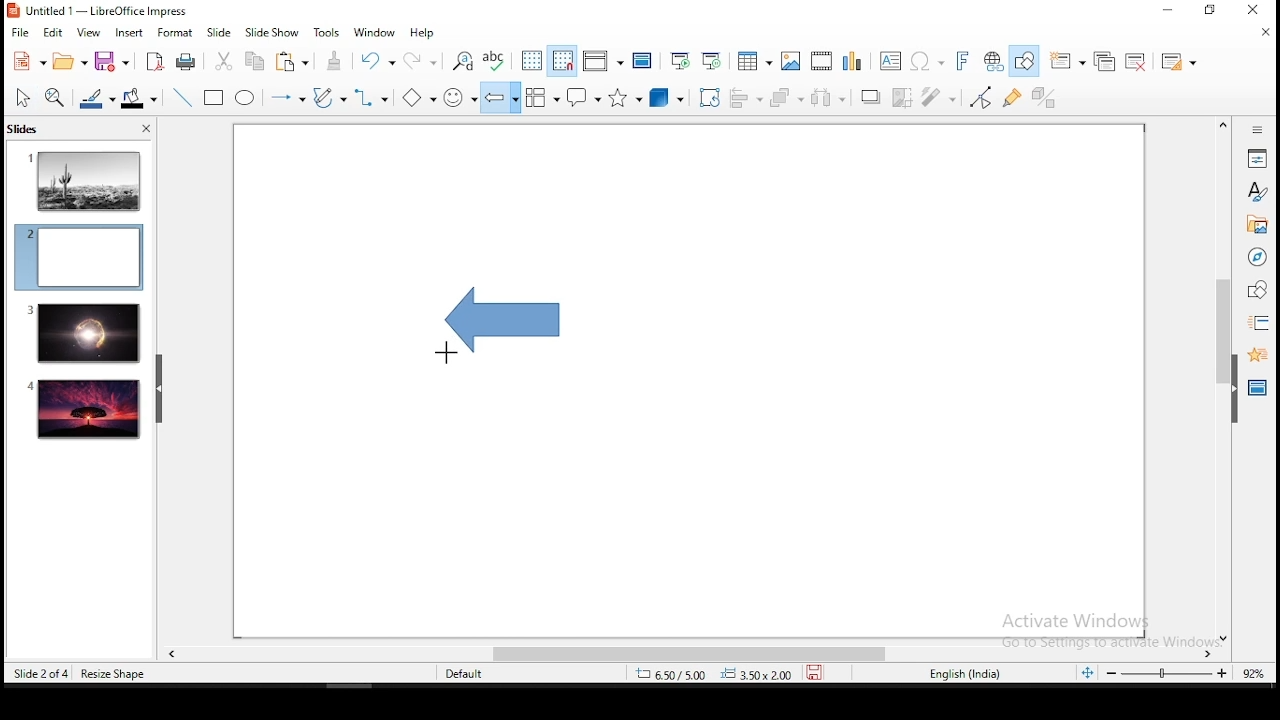  What do you see at coordinates (1028, 63) in the screenshot?
I see `show draw functions` at bounding box center [1028, 63].